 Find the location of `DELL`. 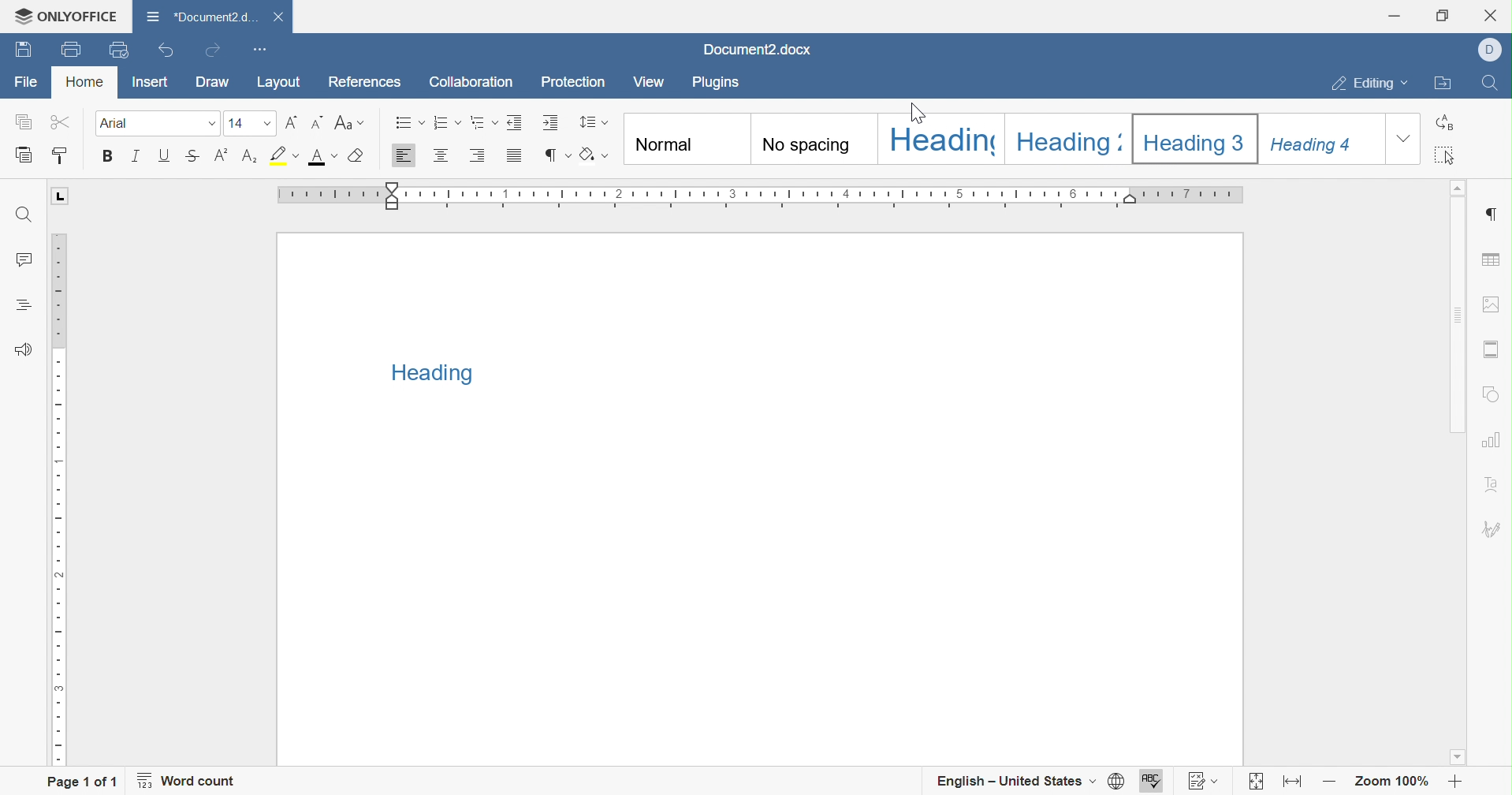

DELL is located at coordinates (1492, 52).